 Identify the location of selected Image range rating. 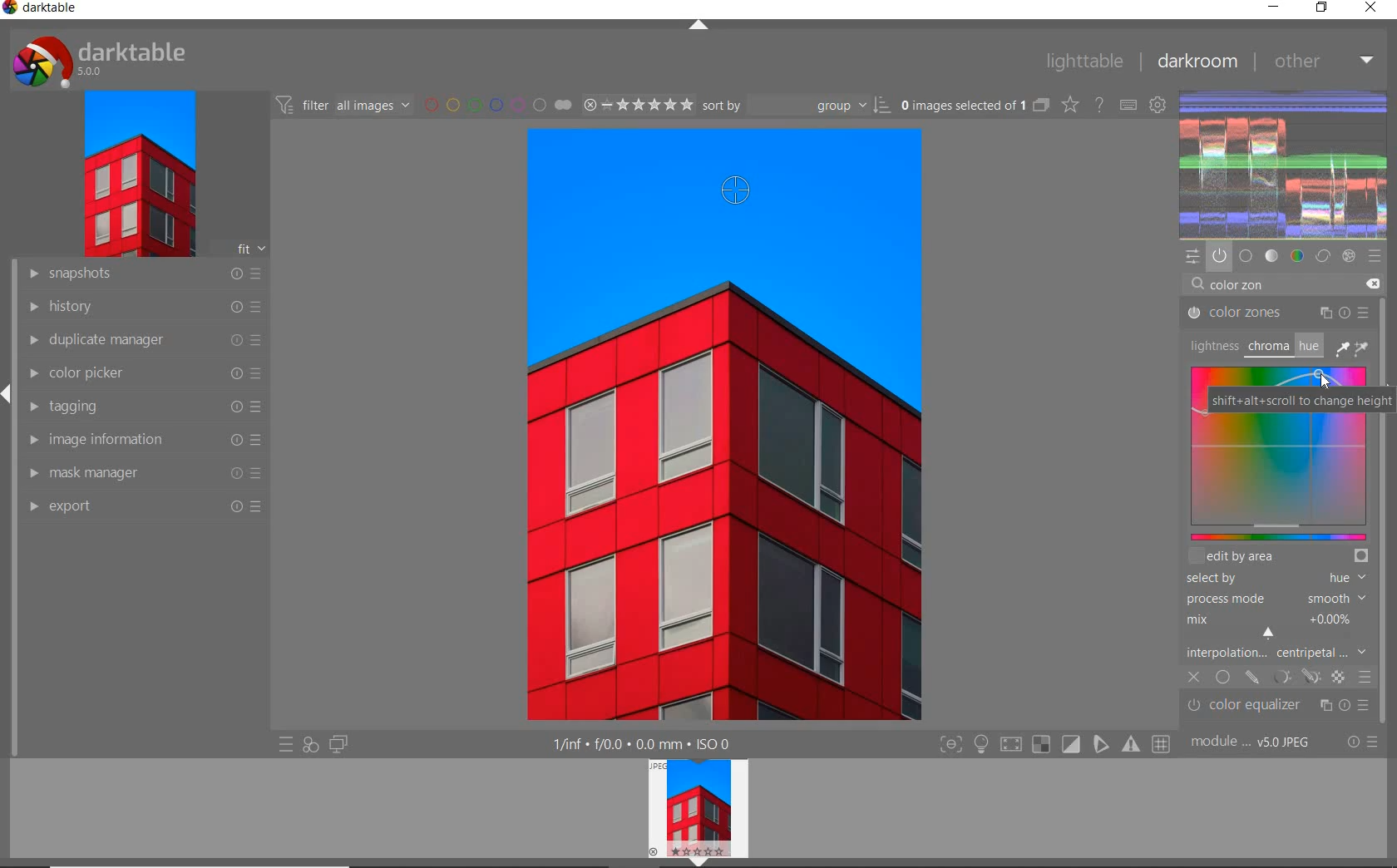
(639, 104).